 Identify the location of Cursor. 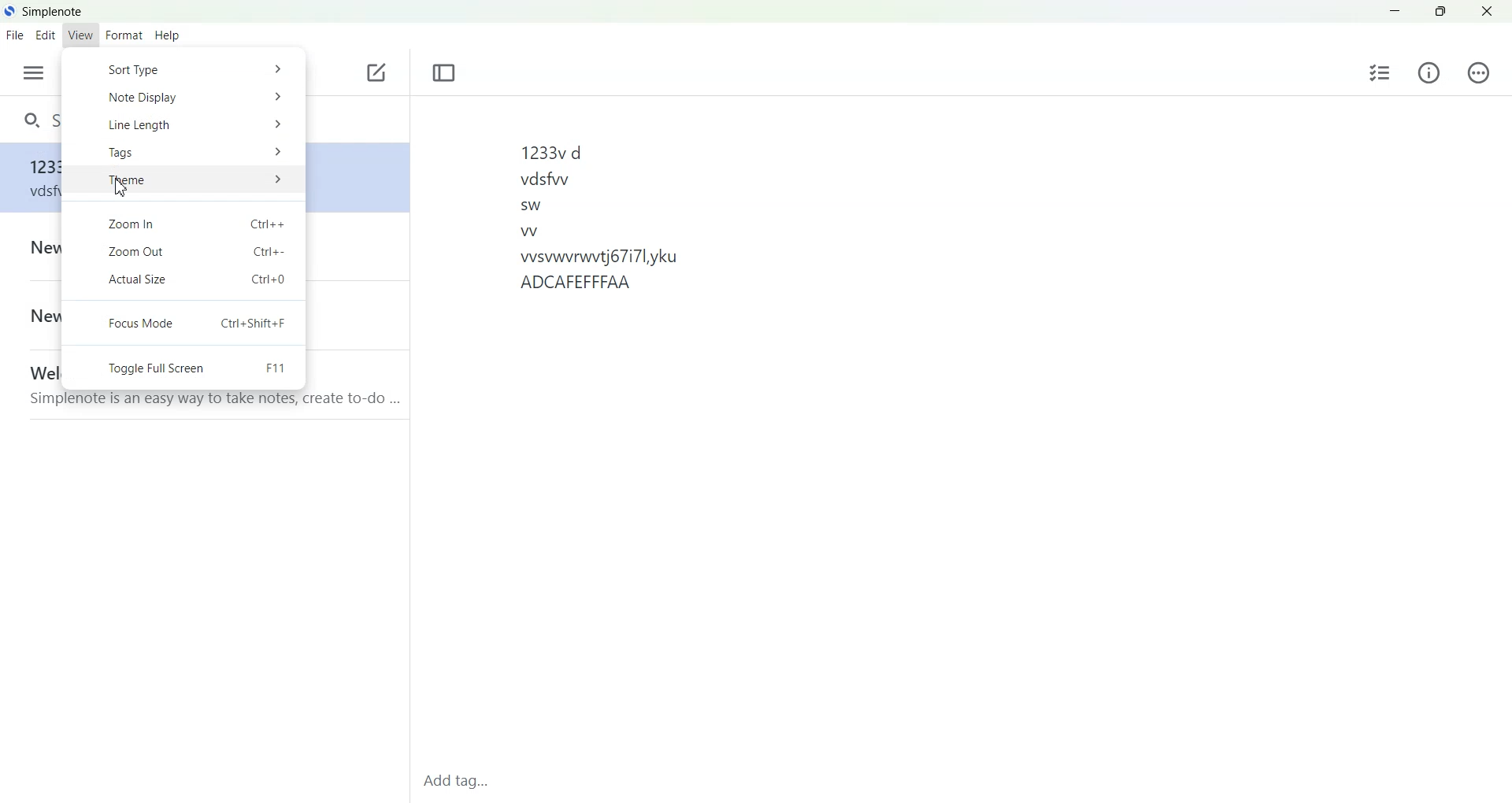
(123, 188).